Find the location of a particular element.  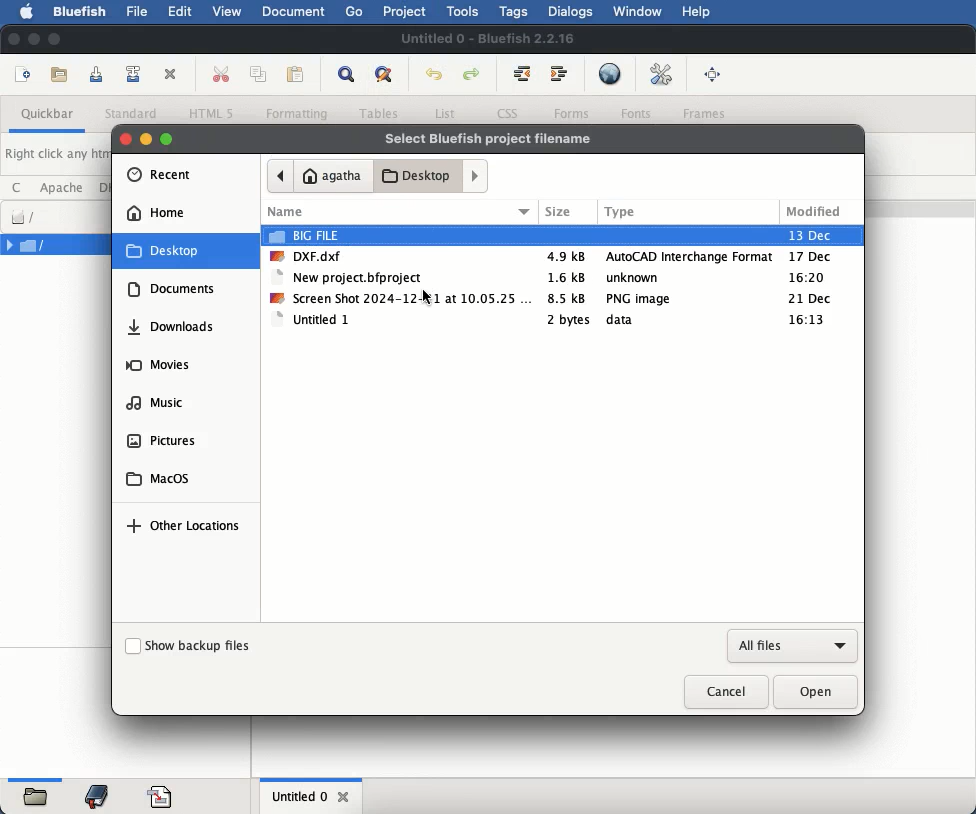

other locations is located at coordinates (185, 527).